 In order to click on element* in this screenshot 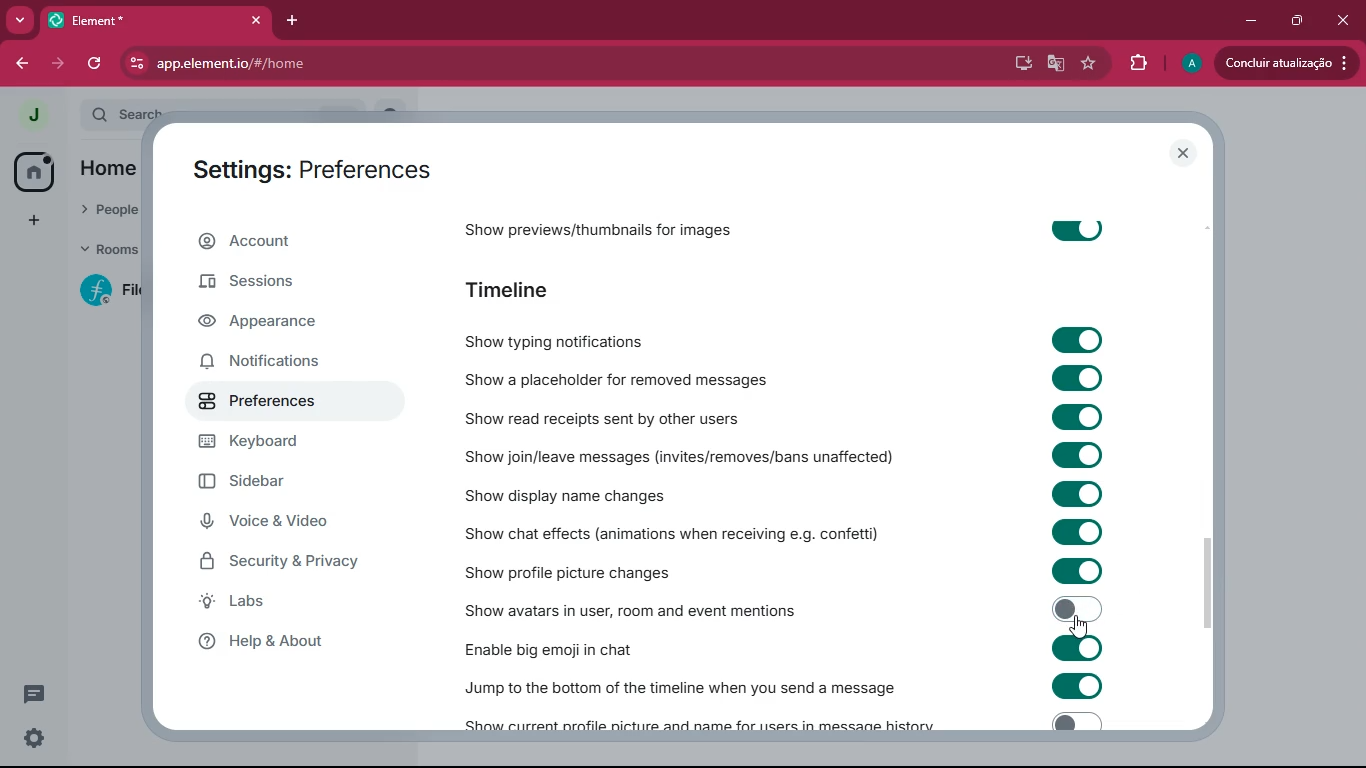, I will do `click(90, 19)`.